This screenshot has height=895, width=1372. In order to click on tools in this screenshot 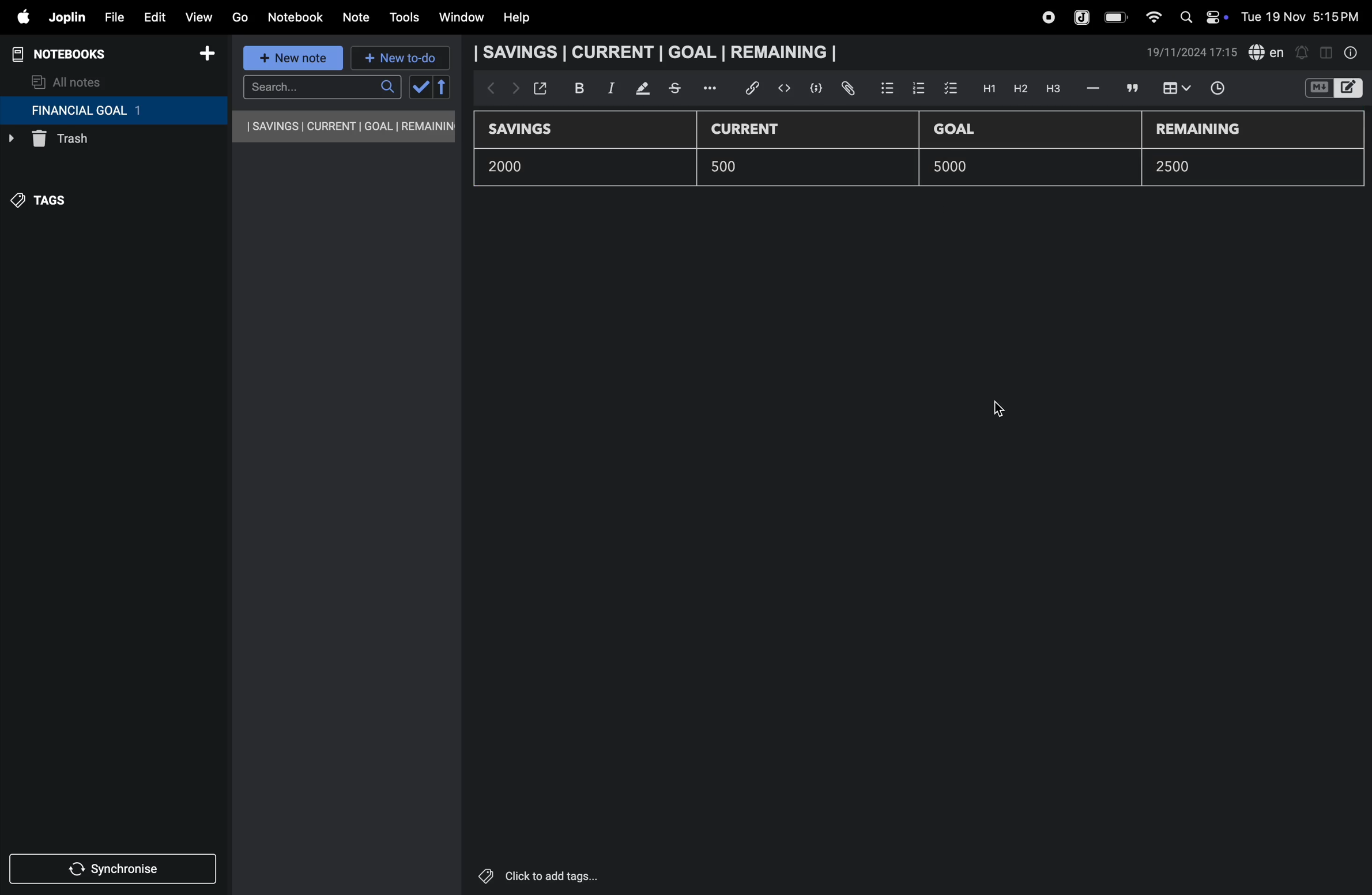, I will do `click(402, 17)`.